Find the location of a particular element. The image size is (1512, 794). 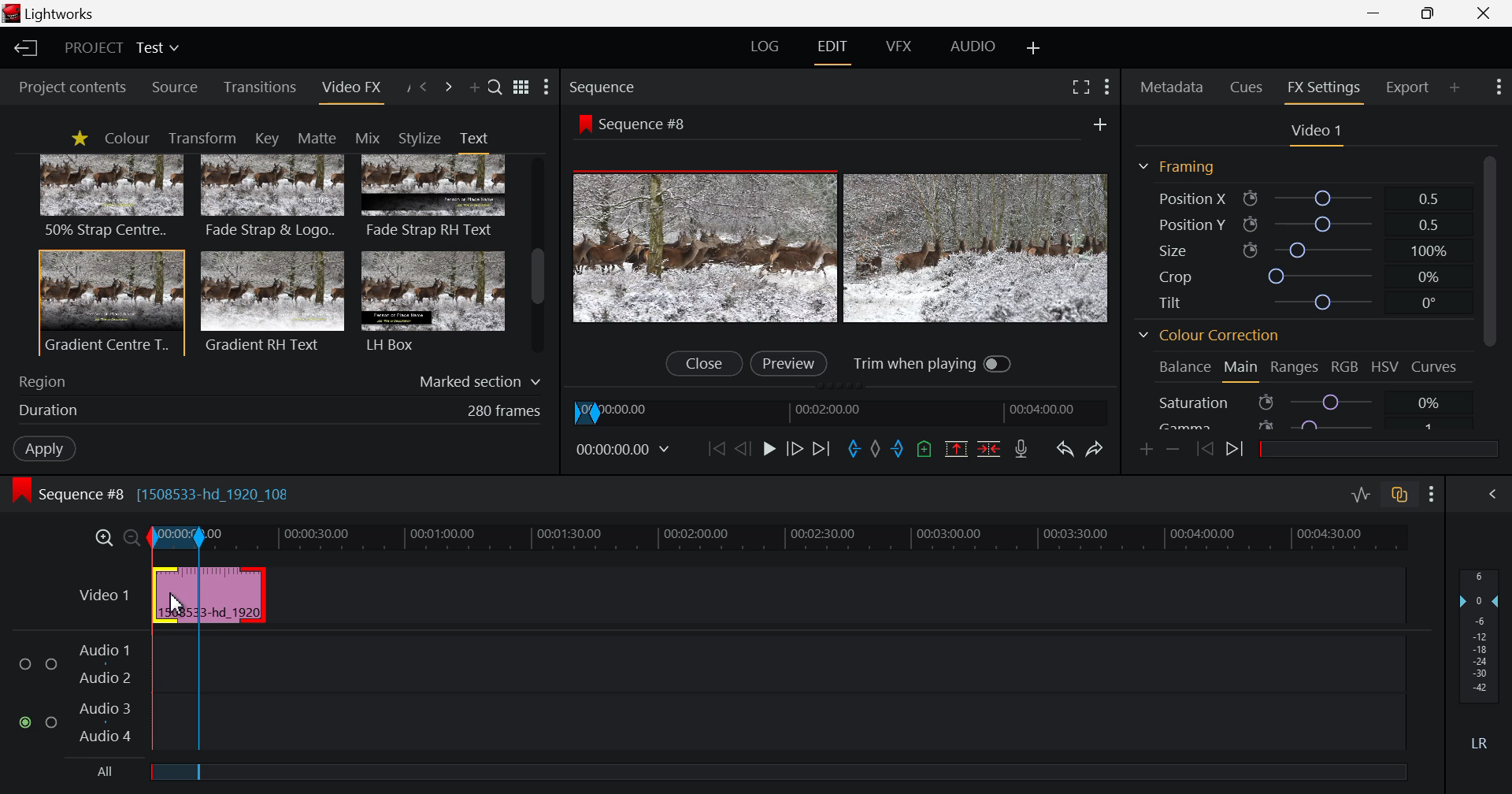

Show Settings is located at coordinates (547, 88).